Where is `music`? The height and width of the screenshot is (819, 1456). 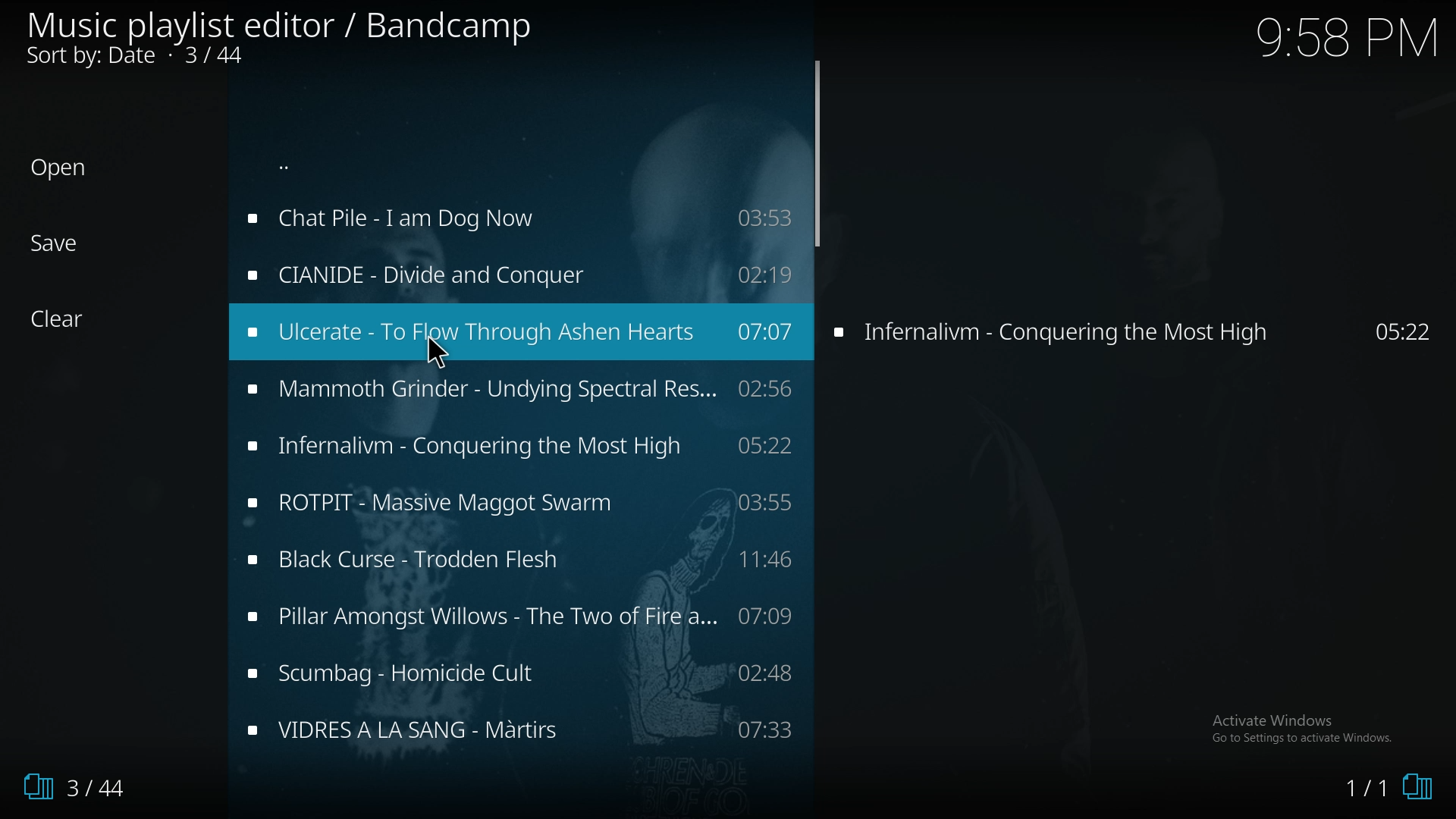
music is located at coordinates (519, 726).